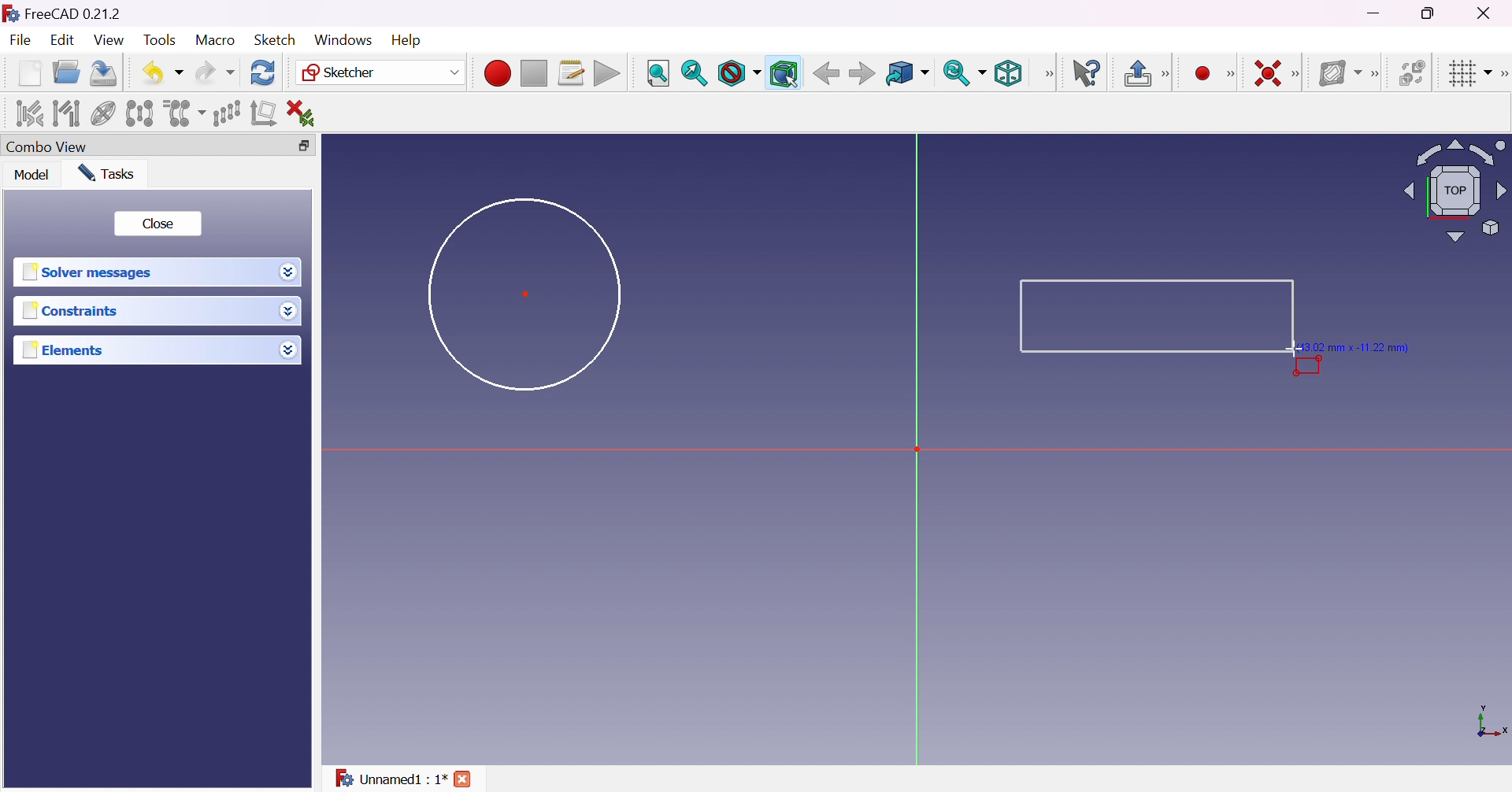 The height and width of the screenshot is (792, 1512). Describe the element at coordinates (1360, 346) in the screenshot. I see `(13.02 mm × -11.22 mm)` at that location.